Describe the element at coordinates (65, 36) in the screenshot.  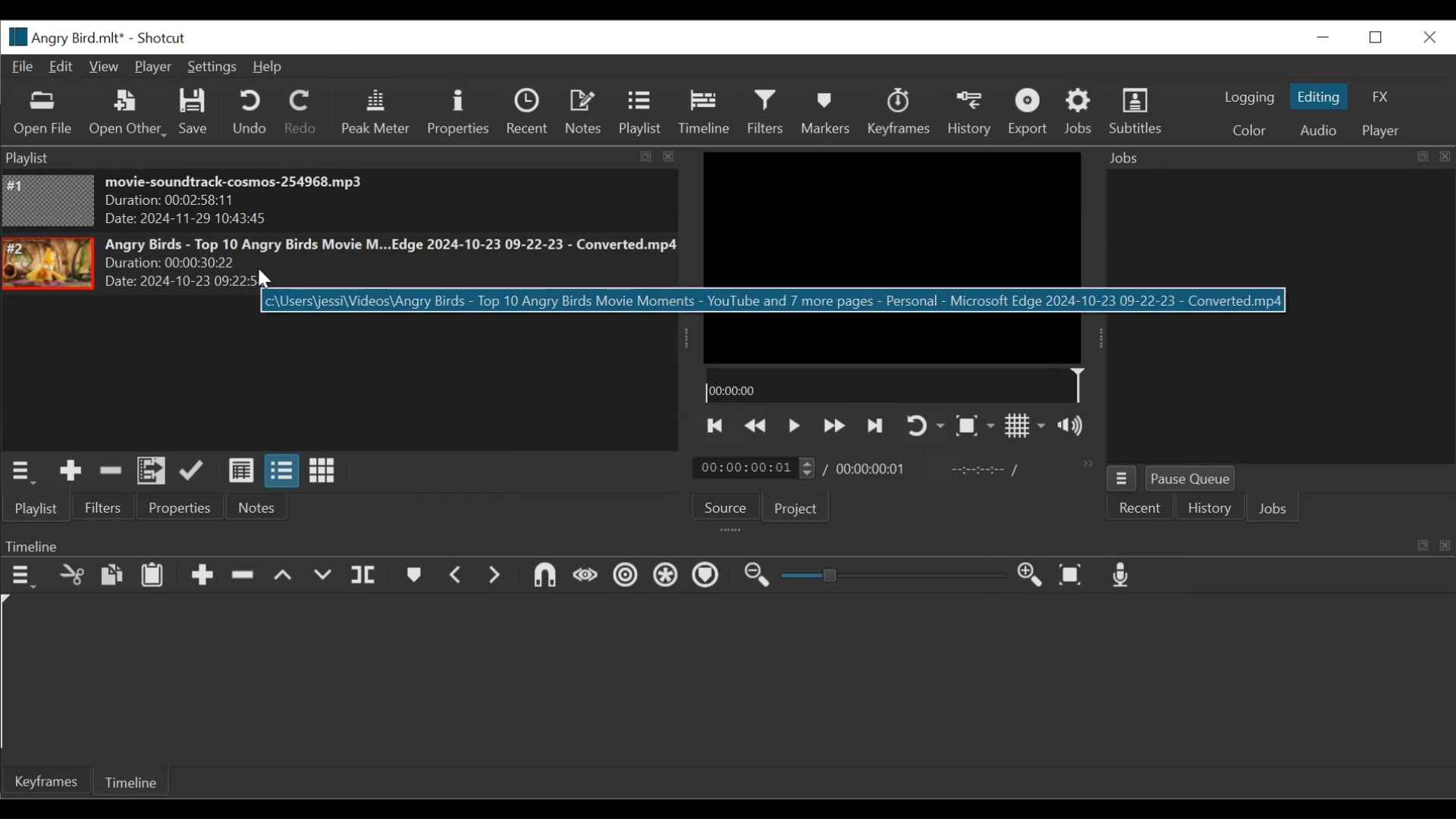
I see `File Name` at that location.